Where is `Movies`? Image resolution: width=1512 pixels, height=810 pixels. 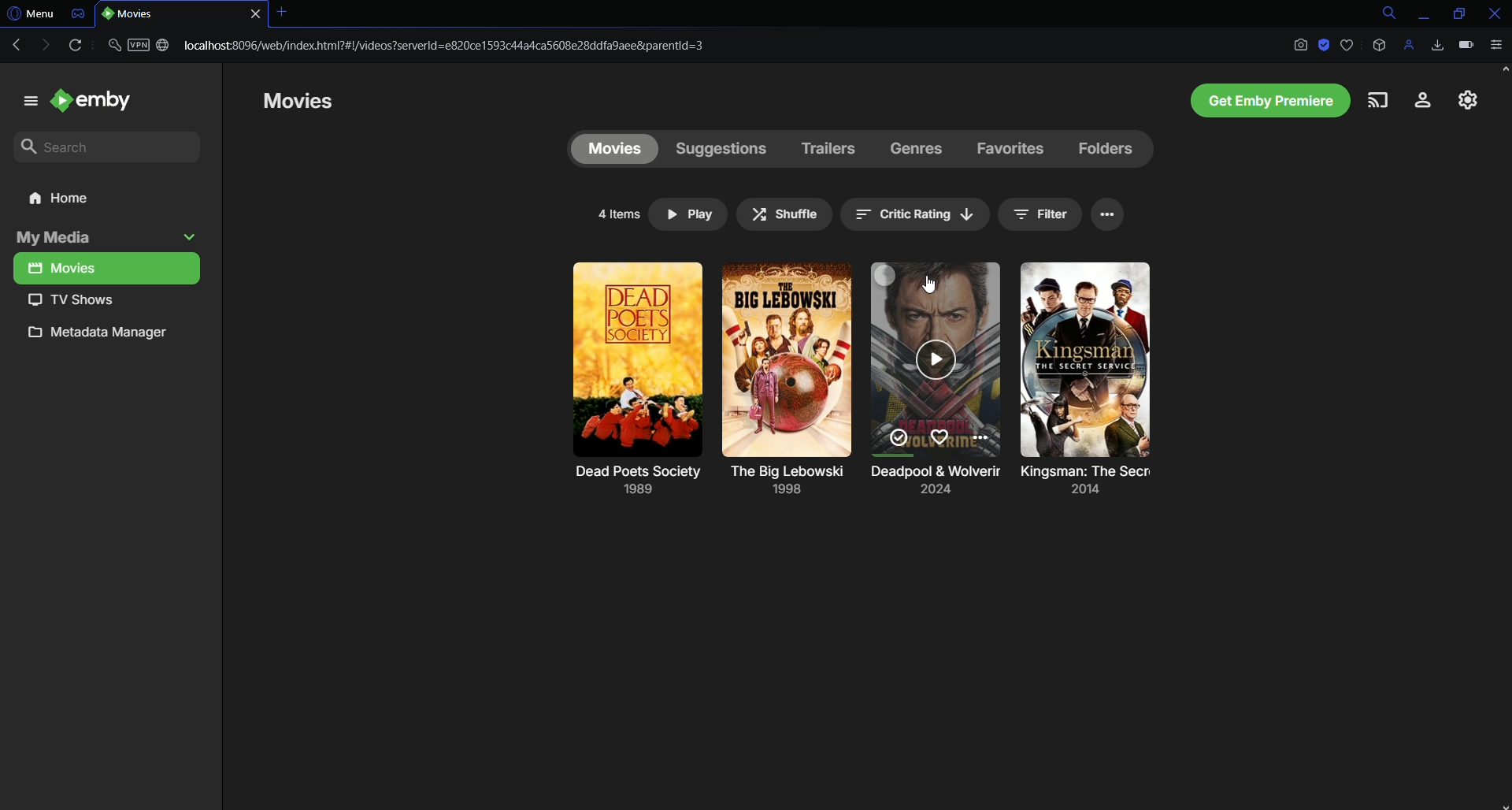
Movies is located at coordinates (613, 150).